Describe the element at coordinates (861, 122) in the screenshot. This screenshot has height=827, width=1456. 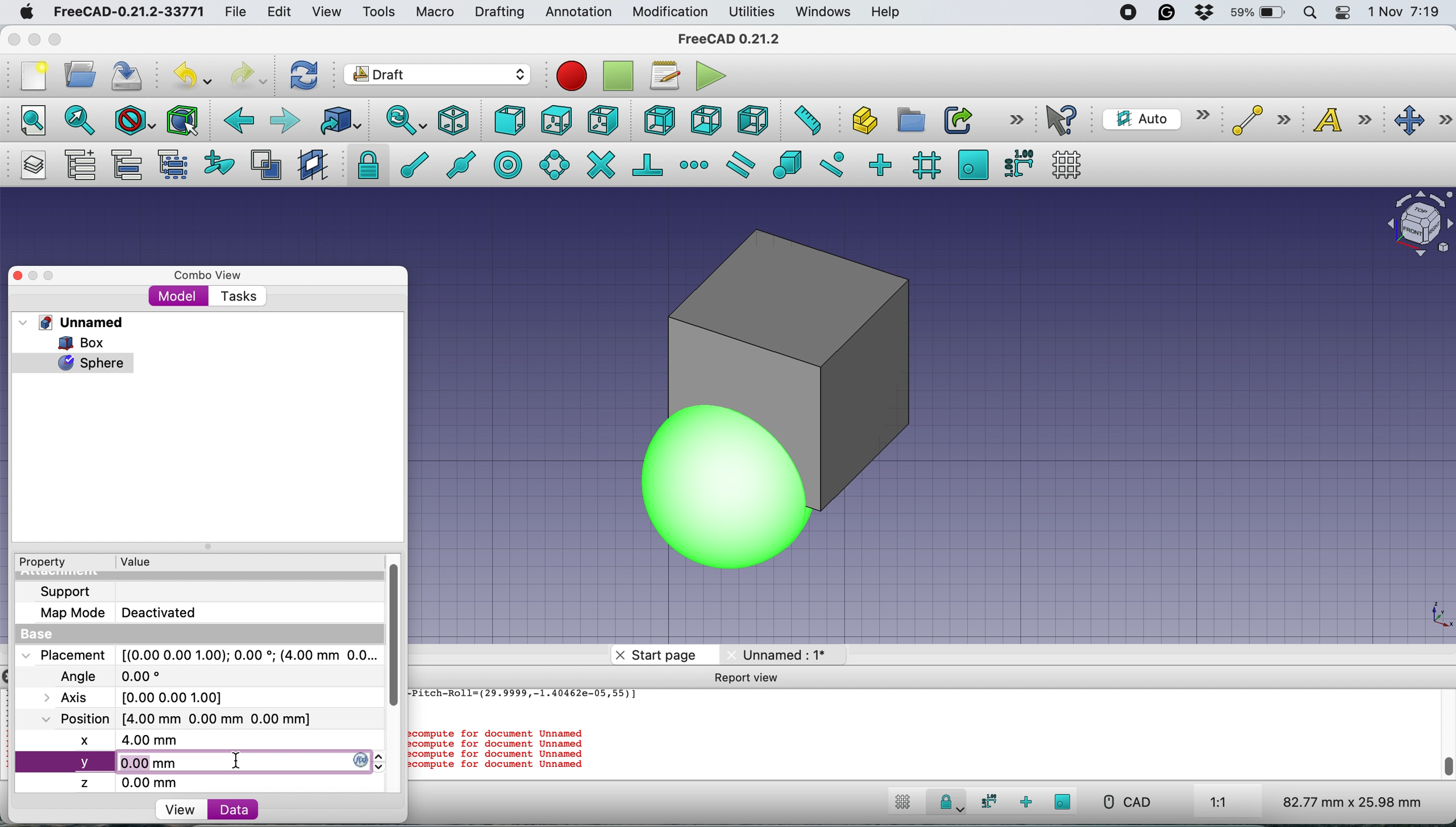
I see `create part` at that location.